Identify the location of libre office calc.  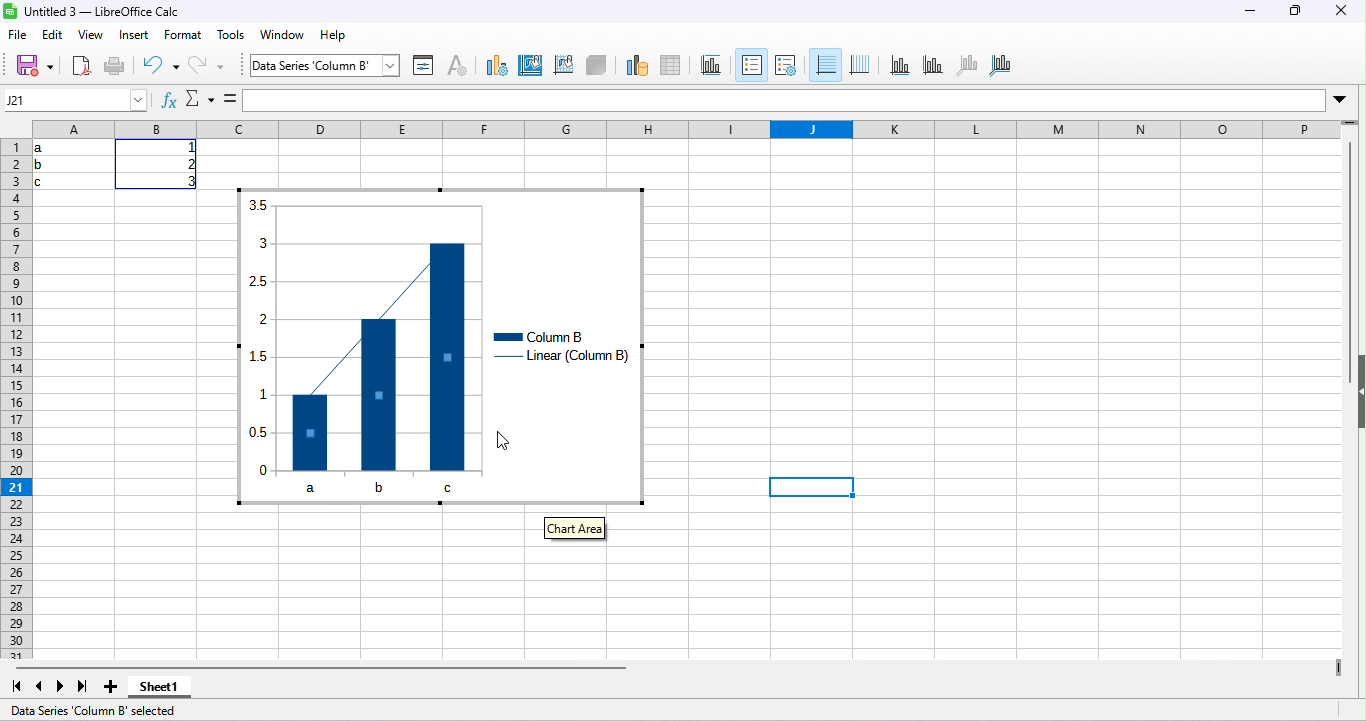
(98, 11).